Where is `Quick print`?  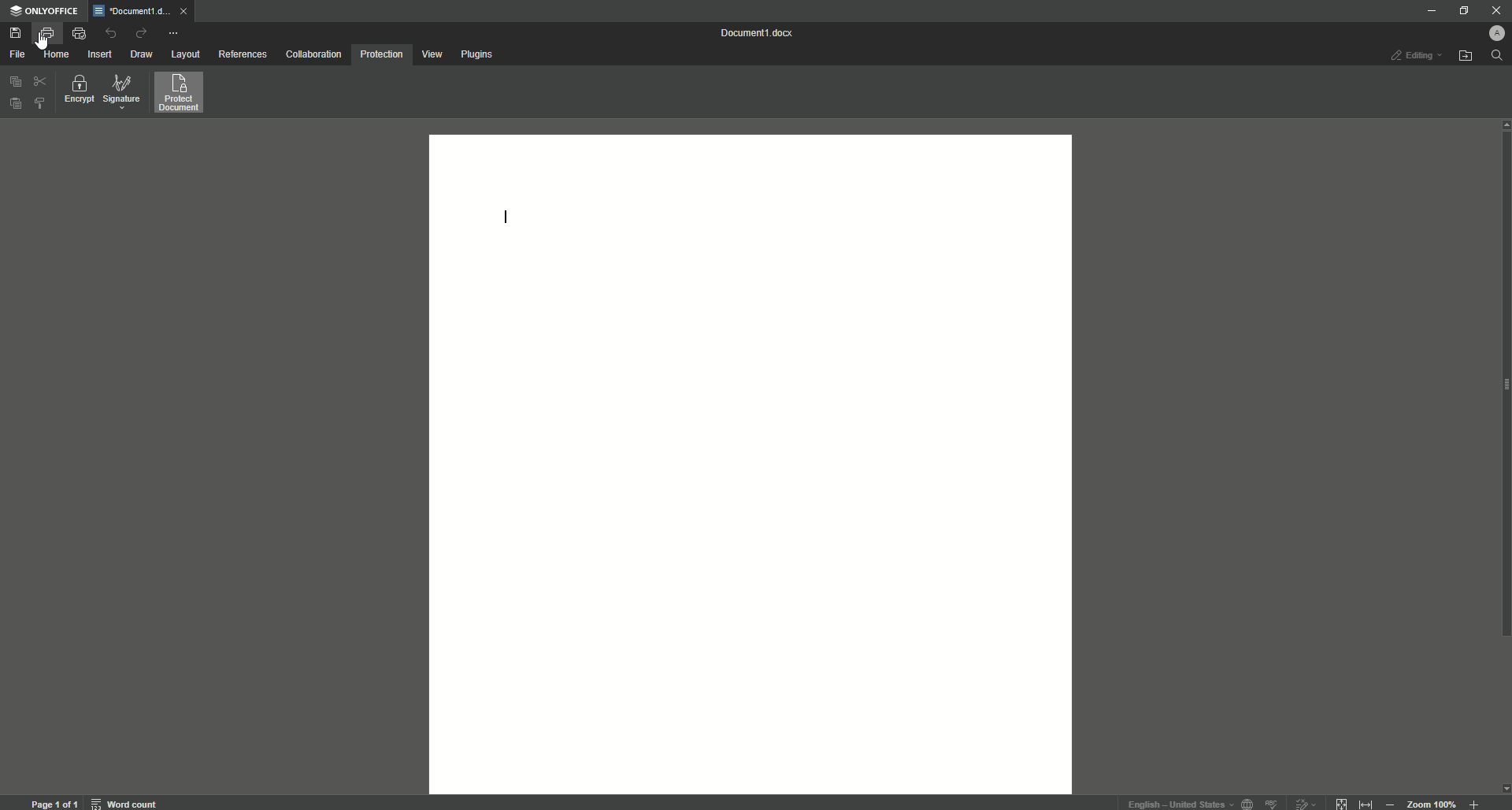
Quick print is located at coordinates (79, 33).